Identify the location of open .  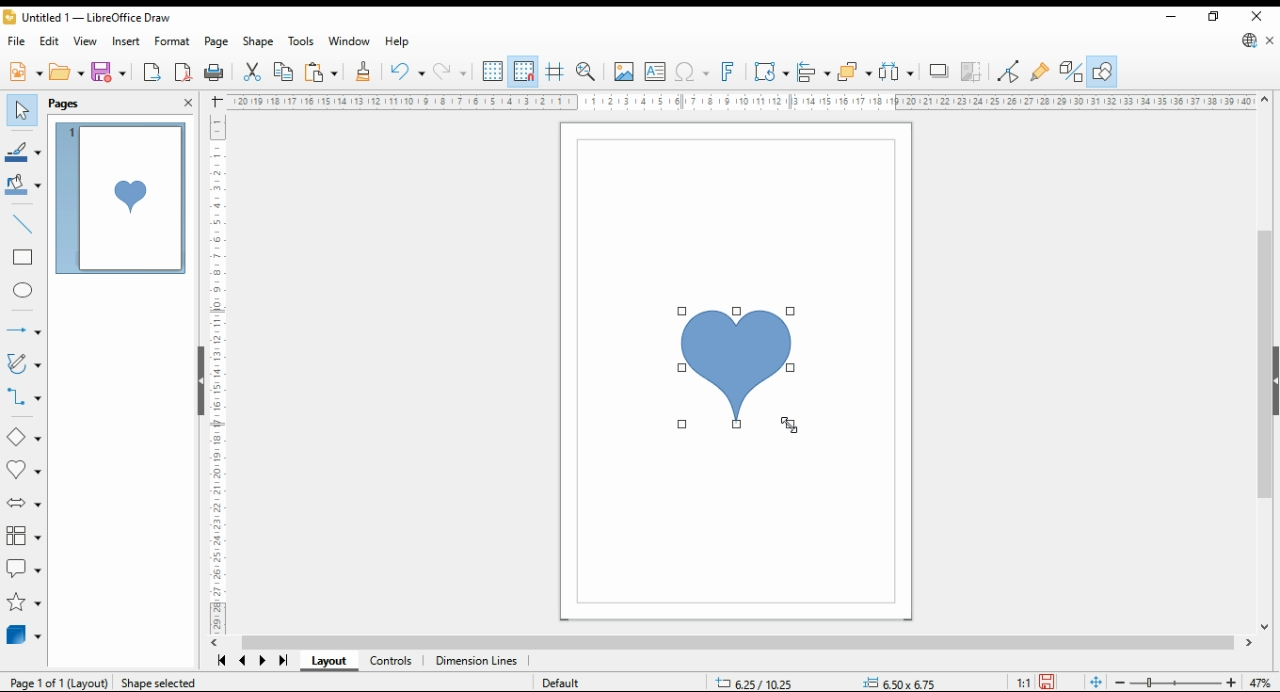
(67, 72).